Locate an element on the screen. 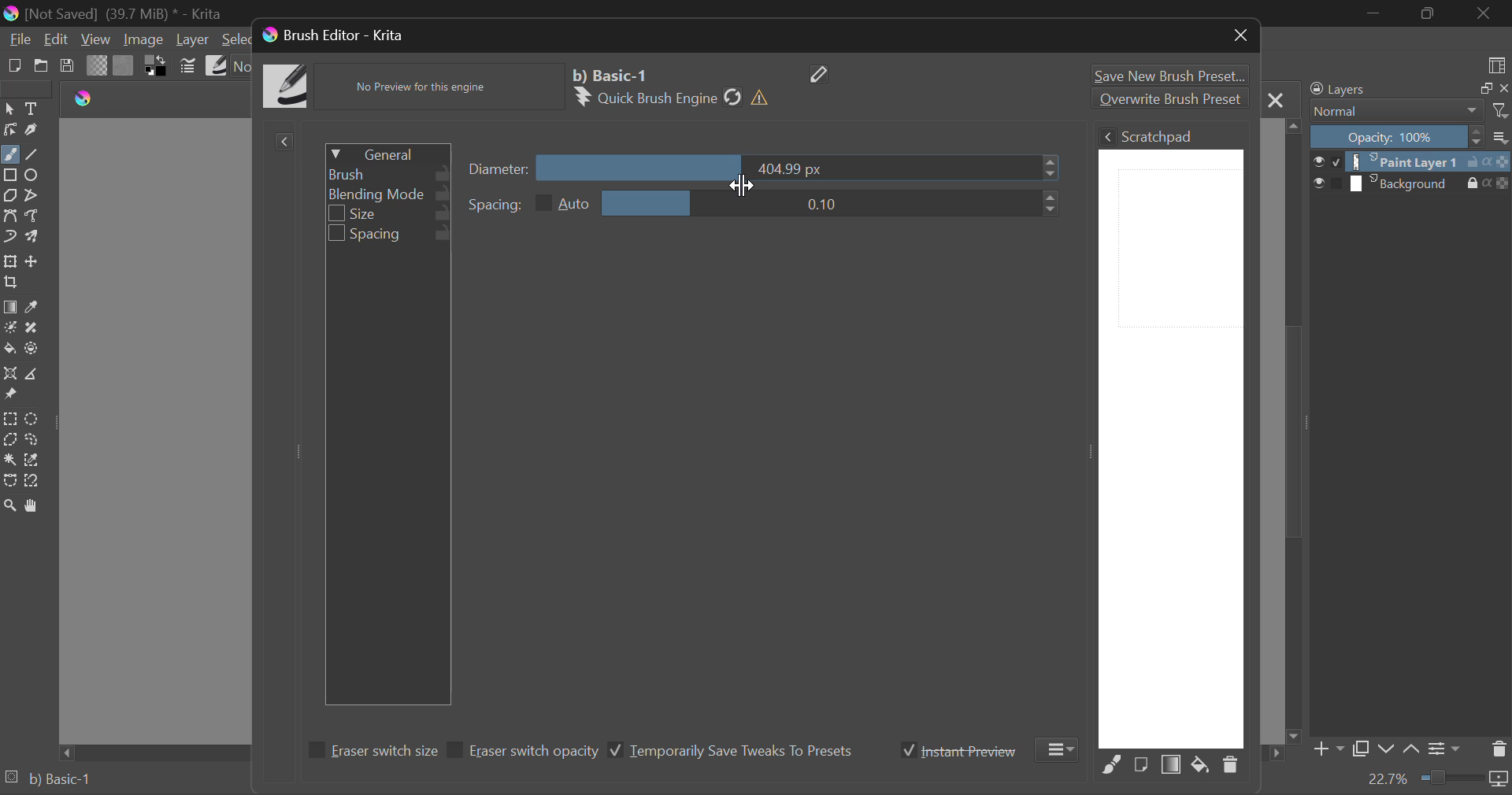 This screenshot has width=1512, height=795. Text is located at coordinates (31, 109).